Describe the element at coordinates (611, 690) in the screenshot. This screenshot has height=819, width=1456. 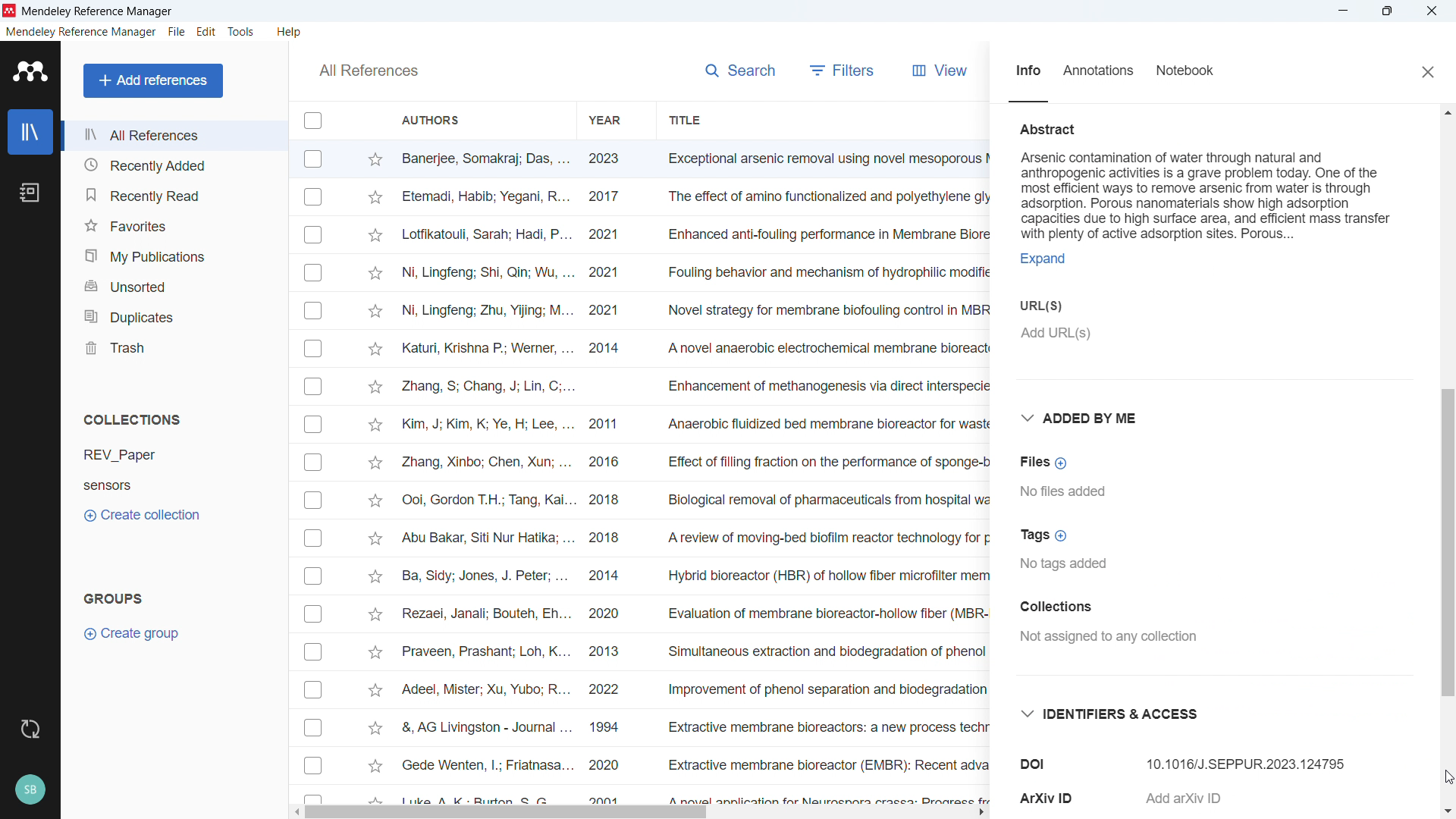
I see `2022` at that location.